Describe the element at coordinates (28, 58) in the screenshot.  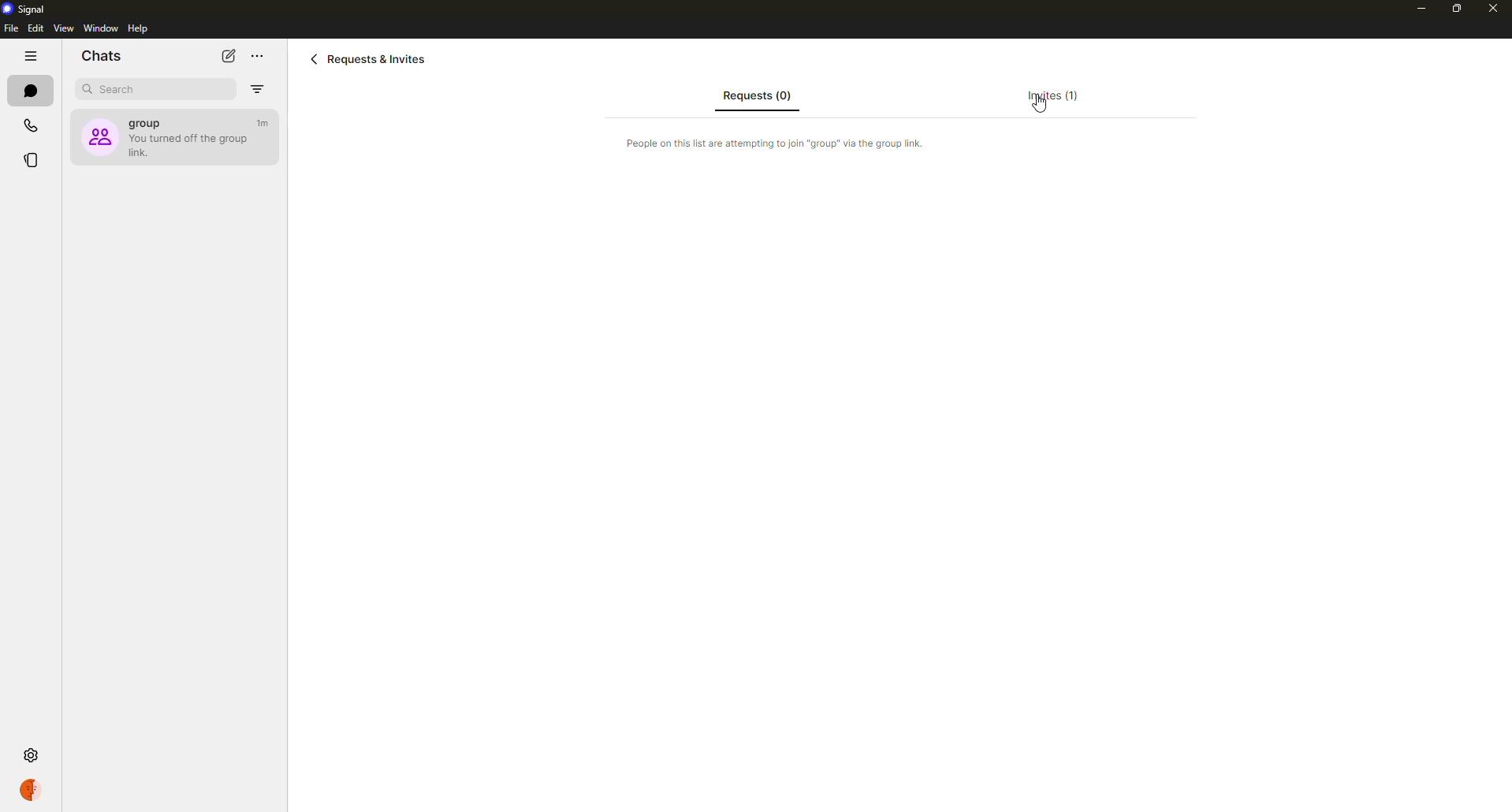
I see `hide tabs` at that location.